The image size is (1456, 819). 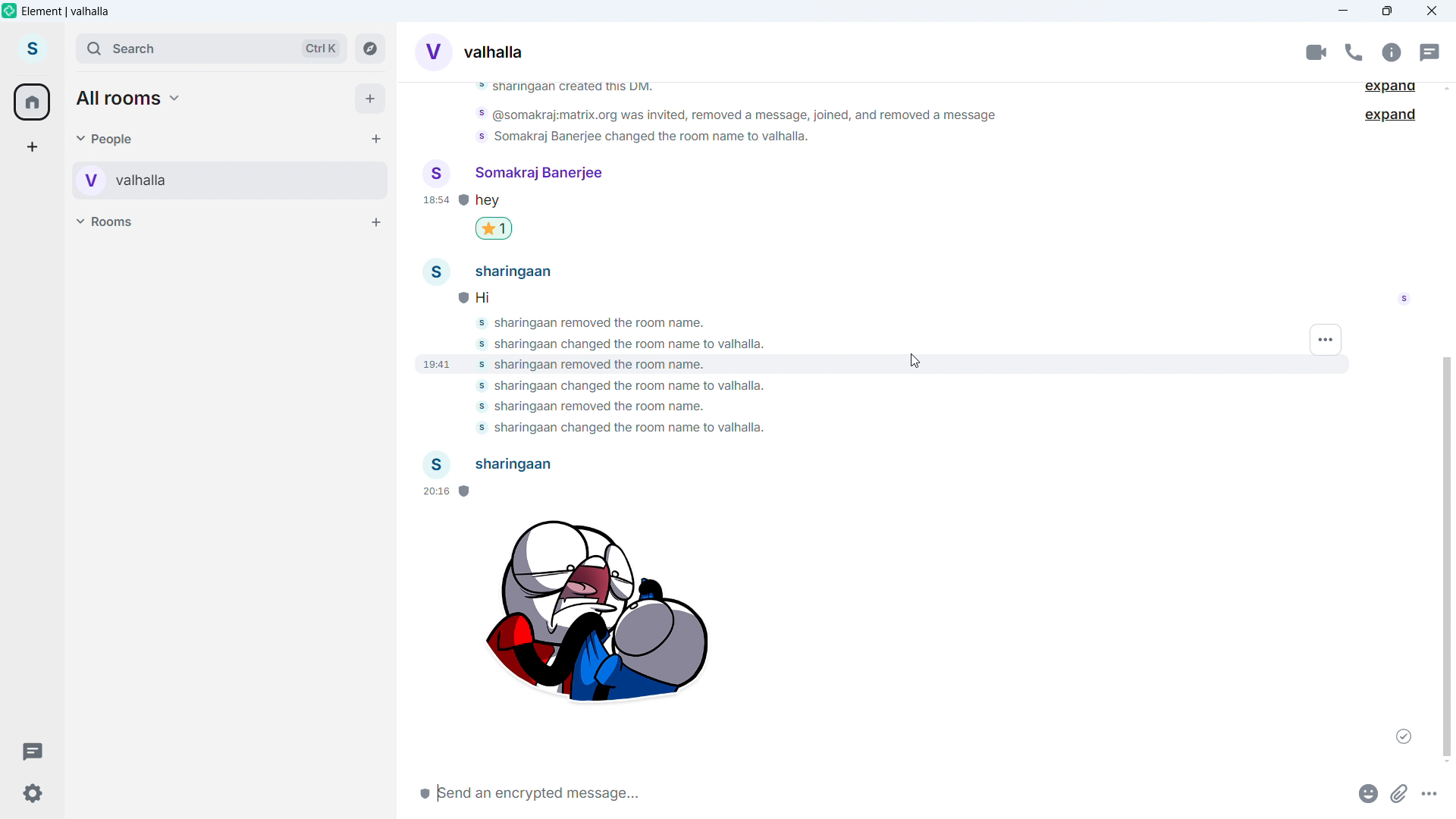 I want to click on Chat options , so click(x=1391, y=52).